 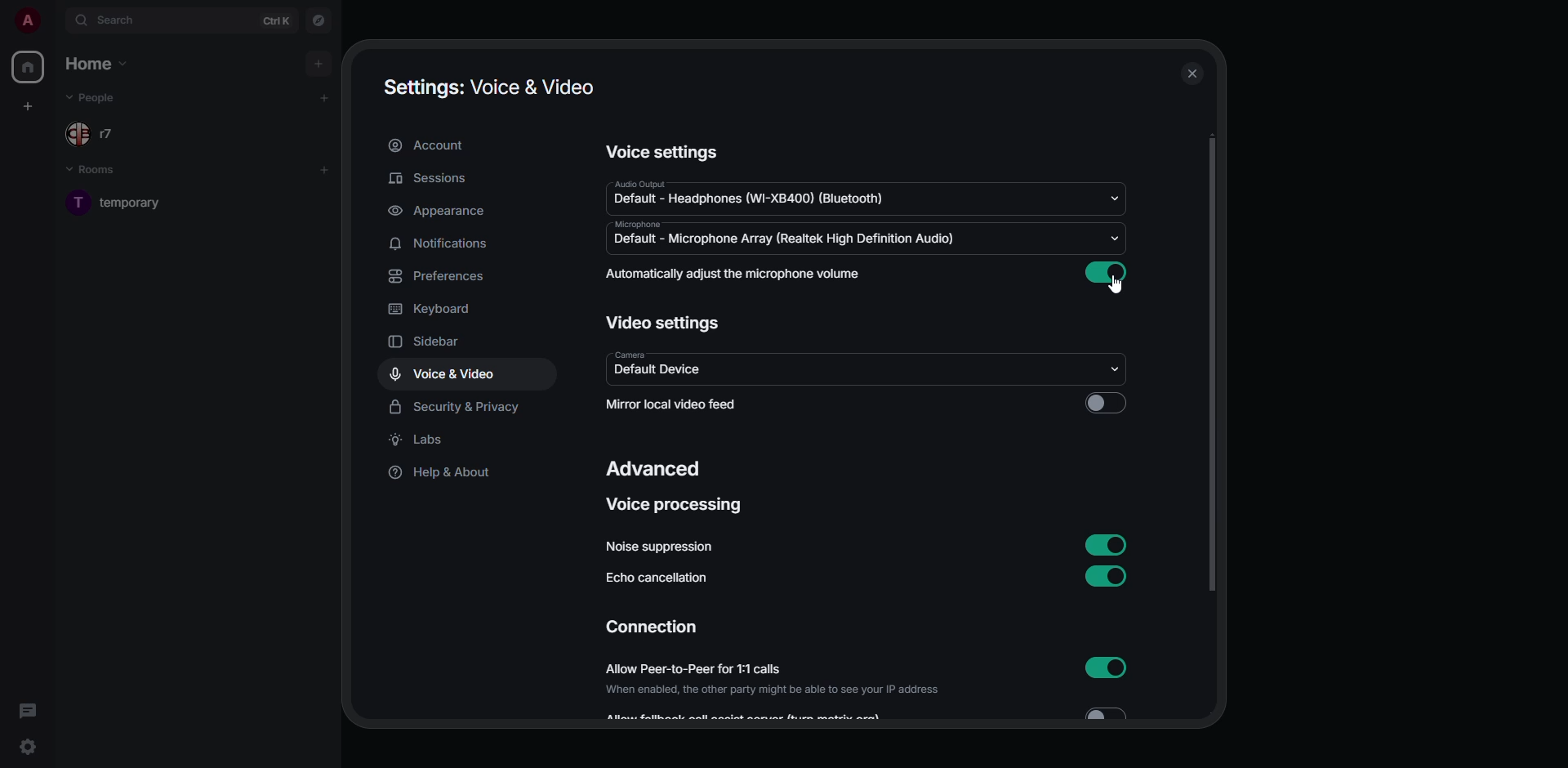 What do you see at coordinates (1103, 543) in the screenshot?
I see `enabled` at bounding box center [1103, 543].